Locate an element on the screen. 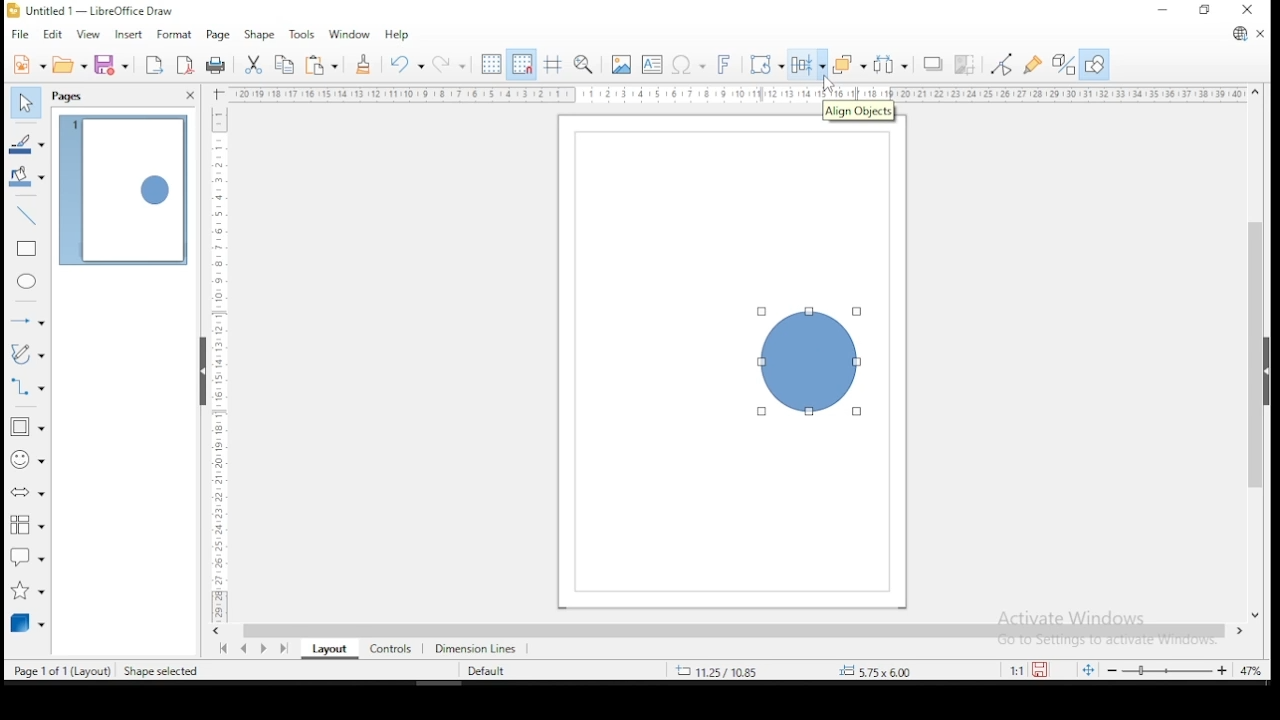 The width and height of the screenshot is (1280, 720). libreoffice update is located at coordinates (1239, 35).